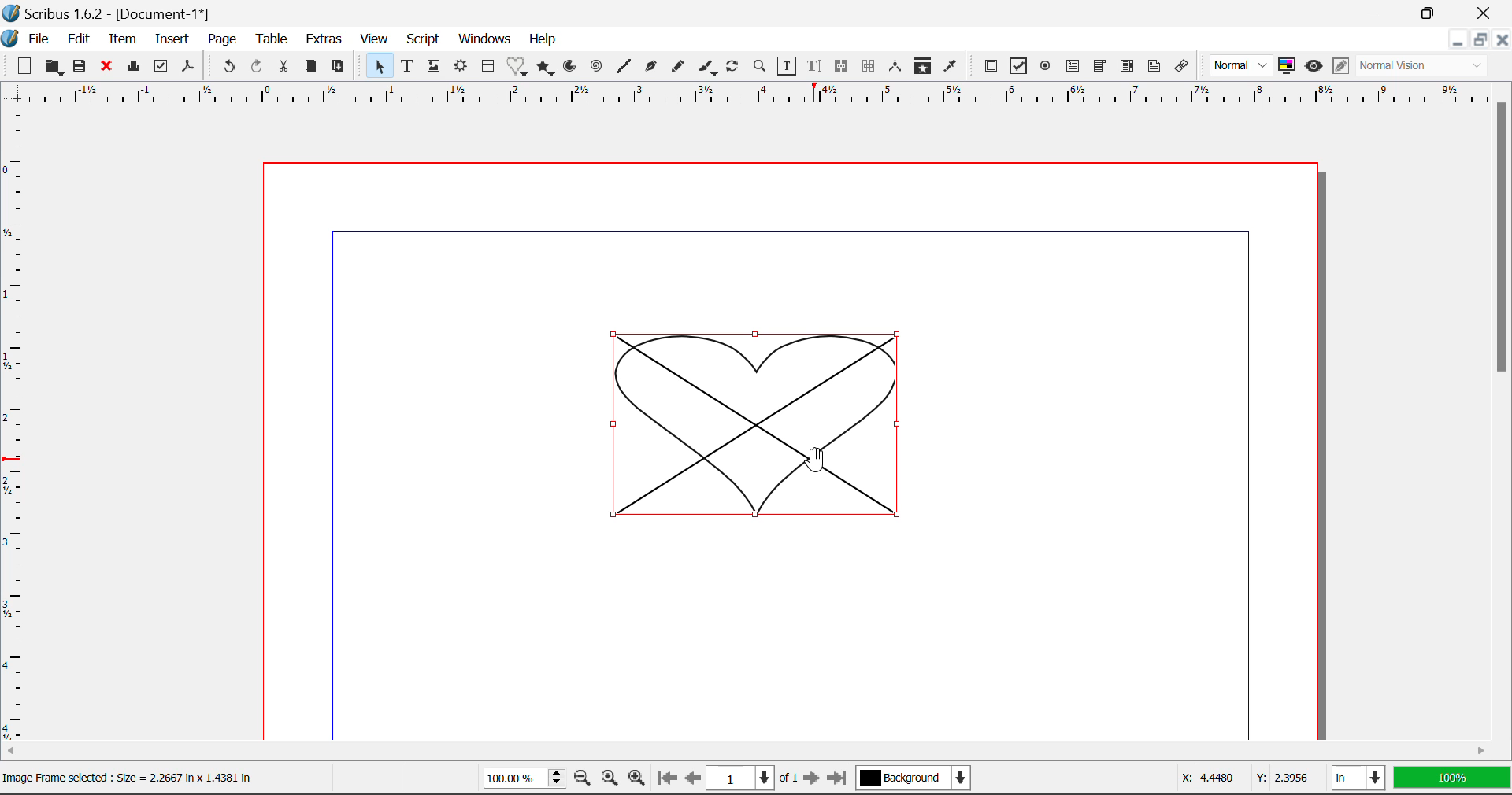  I want to click on Help, so click(543, 39).